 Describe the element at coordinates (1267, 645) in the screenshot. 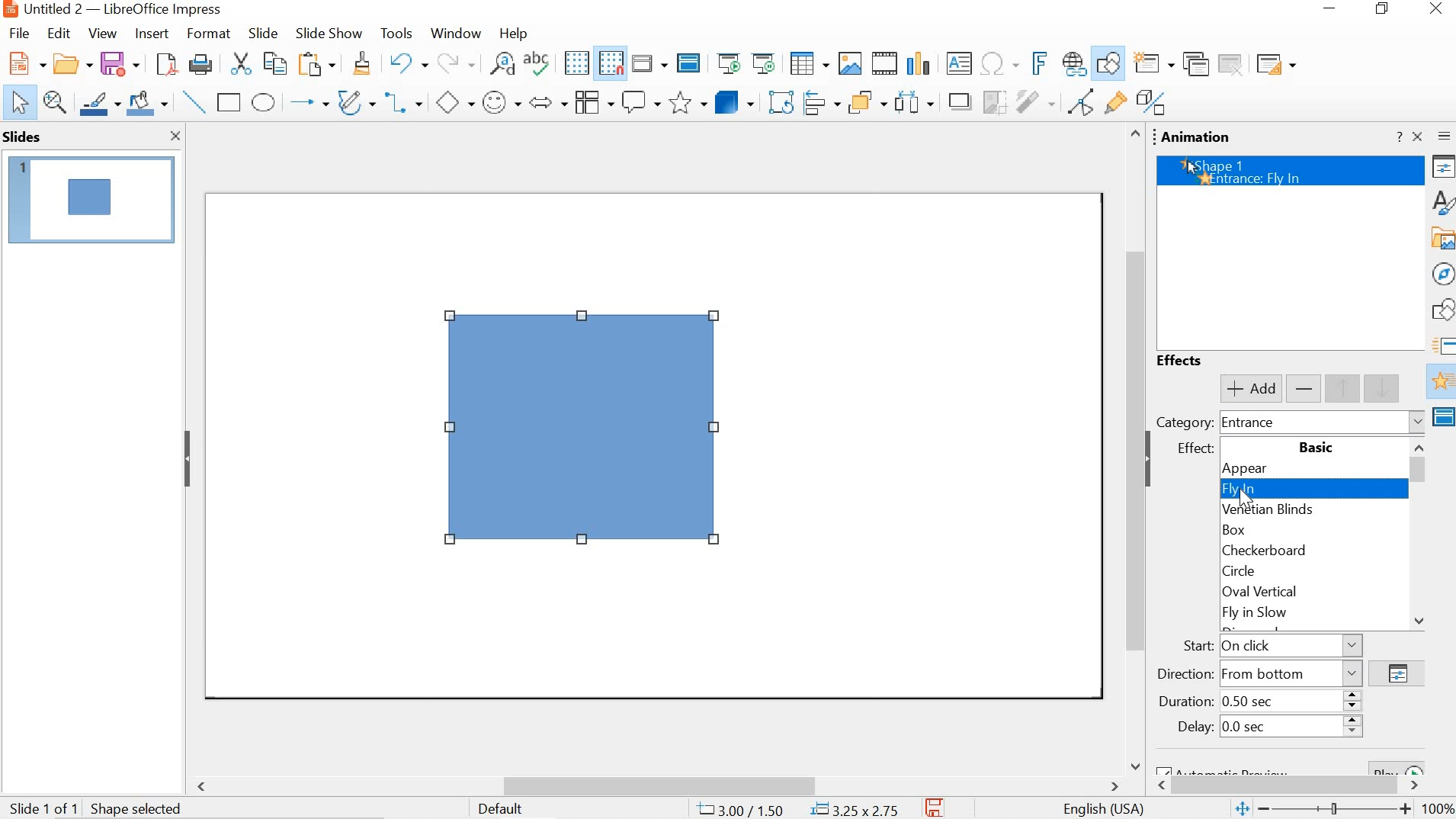

I see `start` at that location.